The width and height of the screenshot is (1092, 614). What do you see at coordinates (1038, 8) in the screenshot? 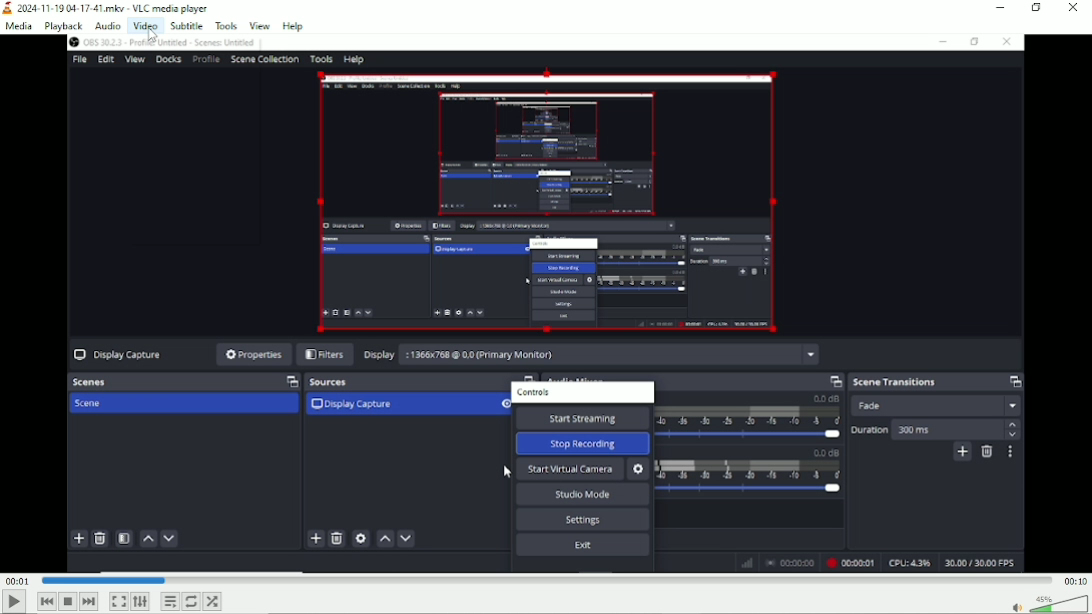
I see `restore down` at bounding box center [1038, 8].